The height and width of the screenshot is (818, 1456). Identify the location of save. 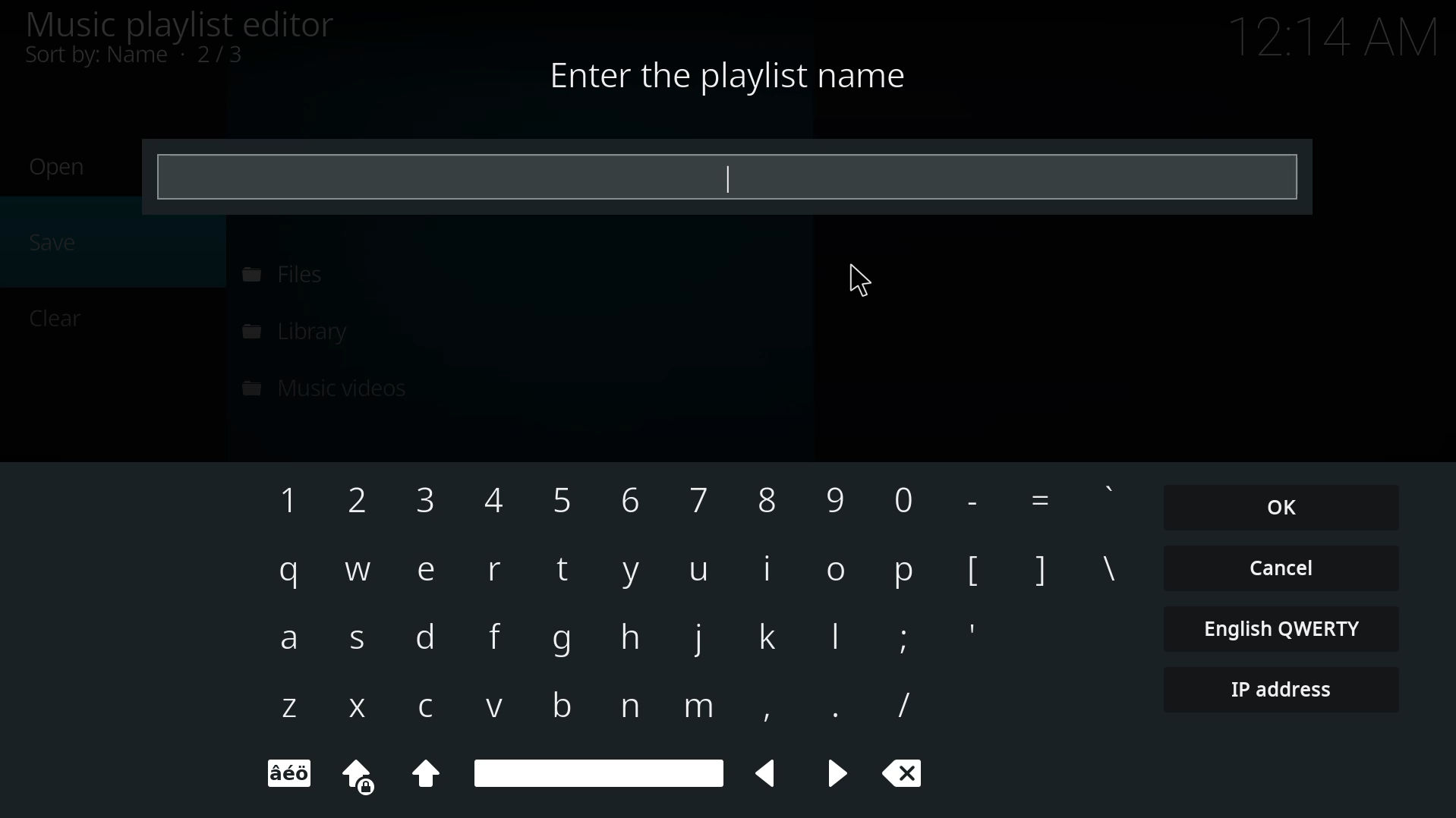
(57, 240).